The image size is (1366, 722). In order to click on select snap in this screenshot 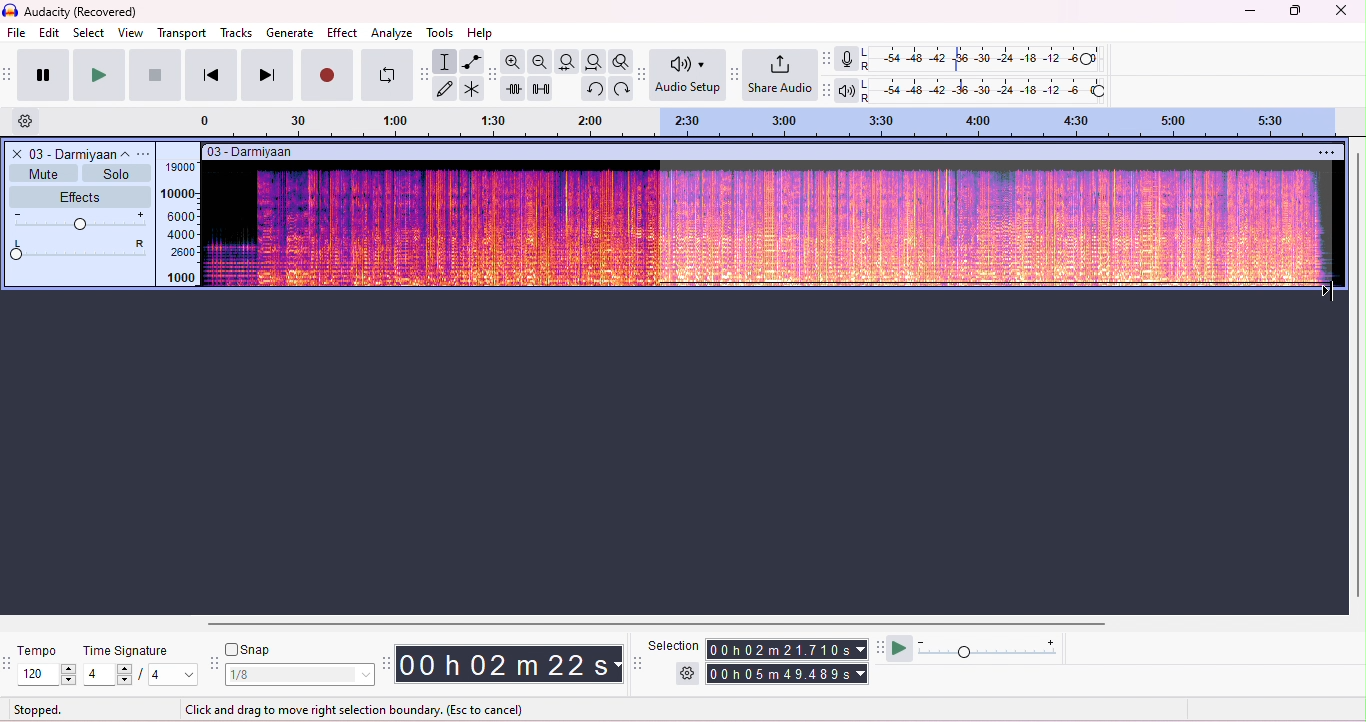, I will do `click(301, 675)`.